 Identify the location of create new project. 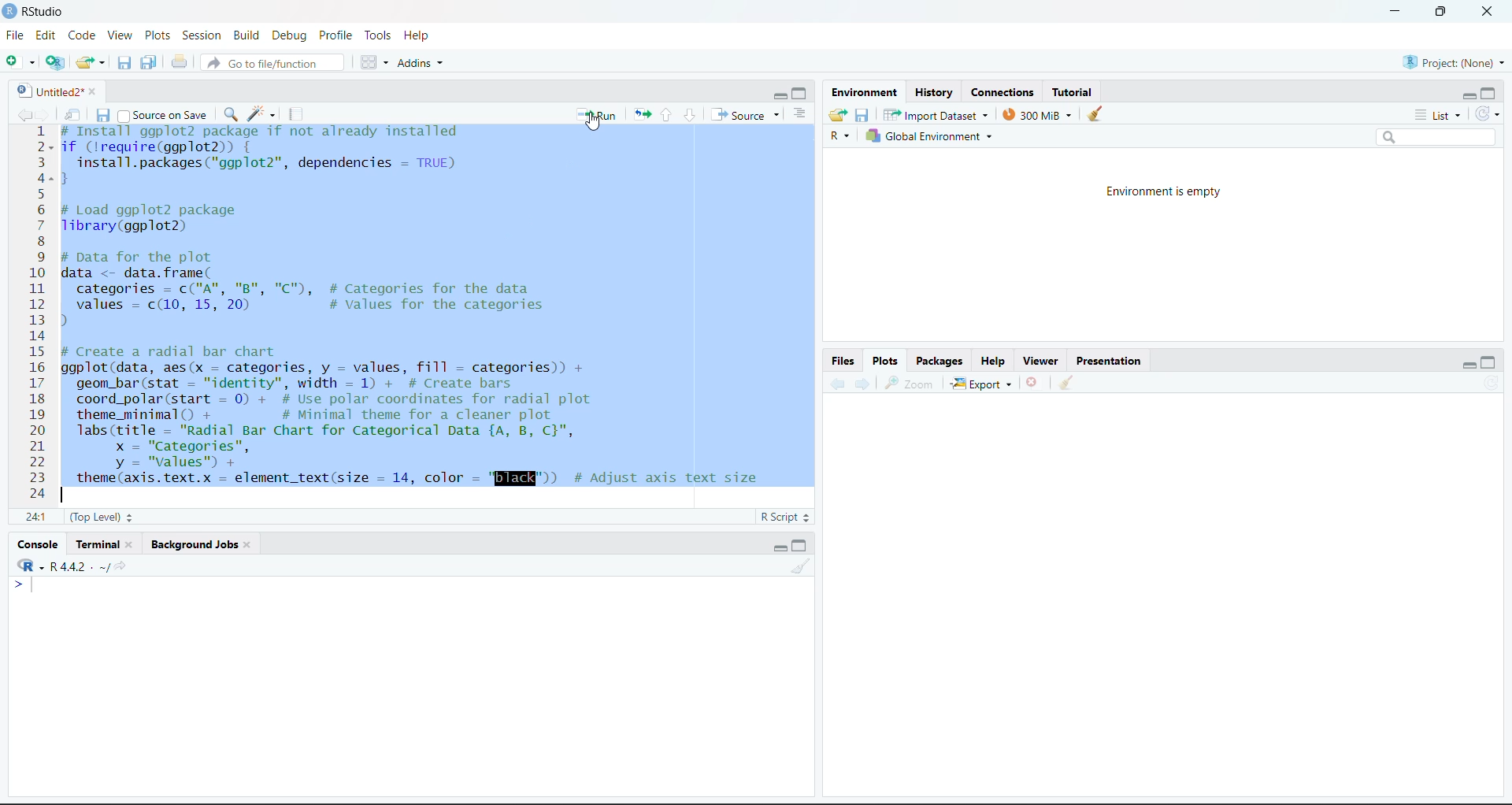
(54, 63).